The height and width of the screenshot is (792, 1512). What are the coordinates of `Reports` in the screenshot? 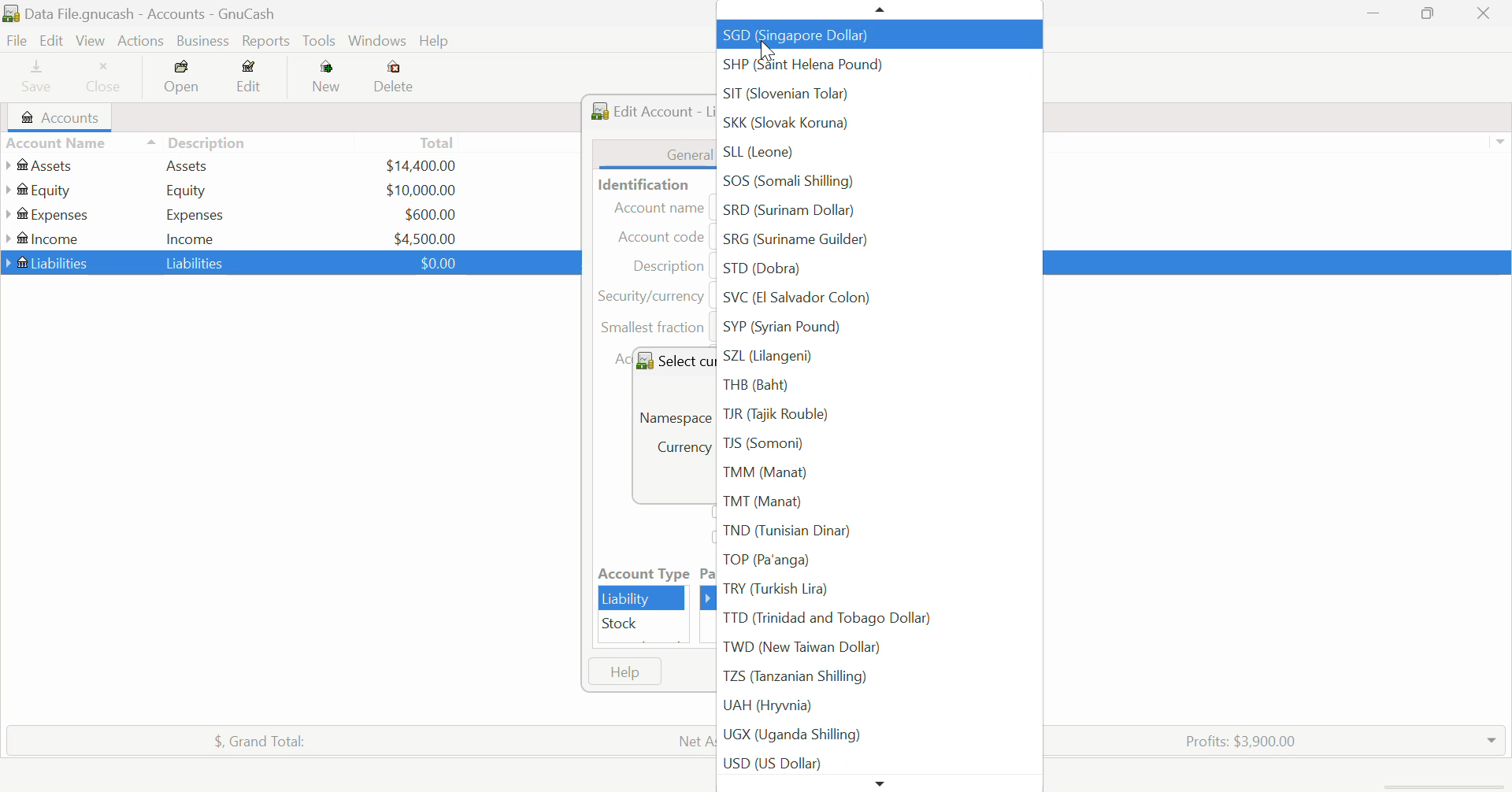 It's located at (269, 41).